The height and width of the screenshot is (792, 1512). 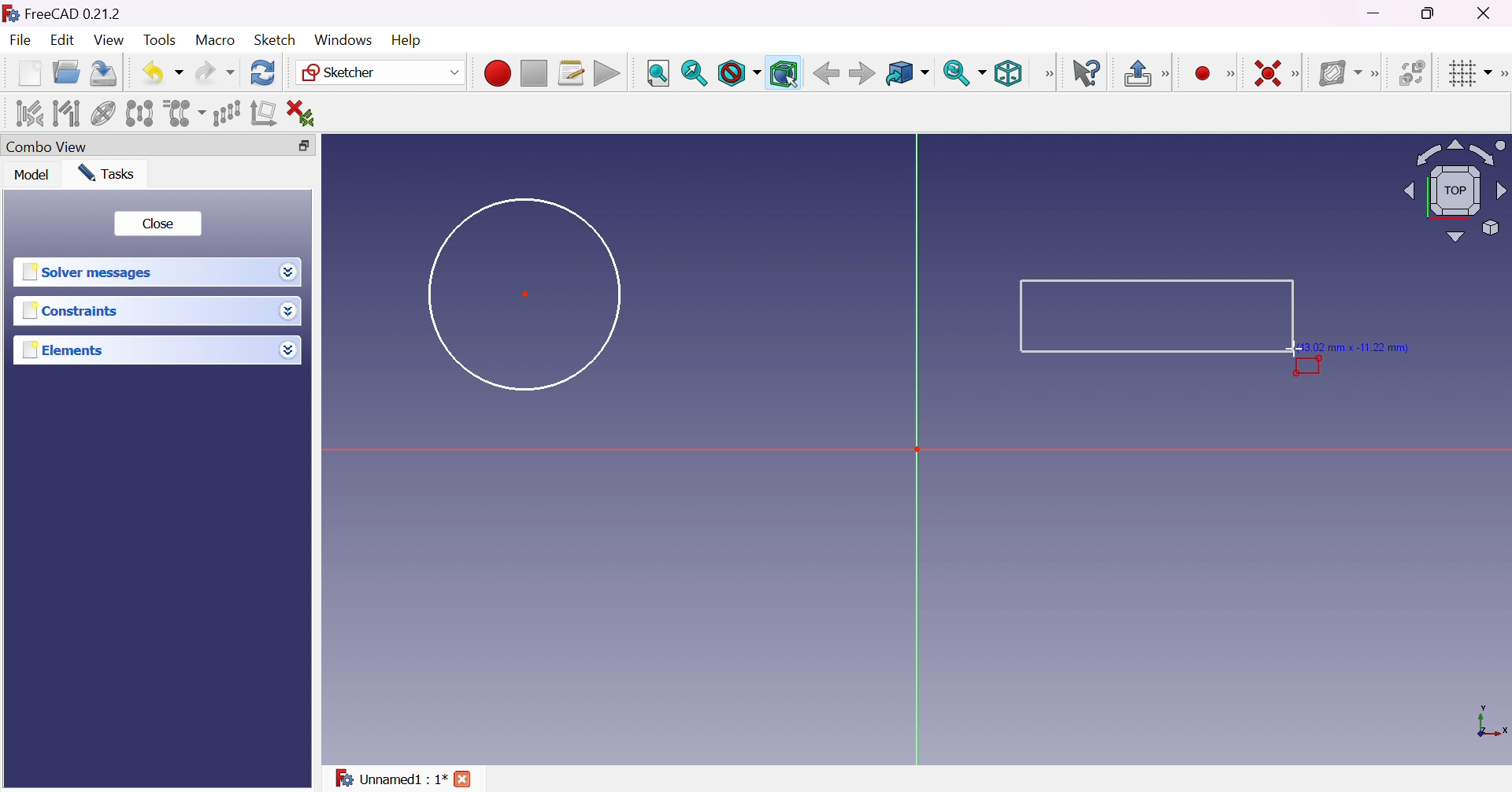 I want to click on Macro, so click(x=216, y=39).